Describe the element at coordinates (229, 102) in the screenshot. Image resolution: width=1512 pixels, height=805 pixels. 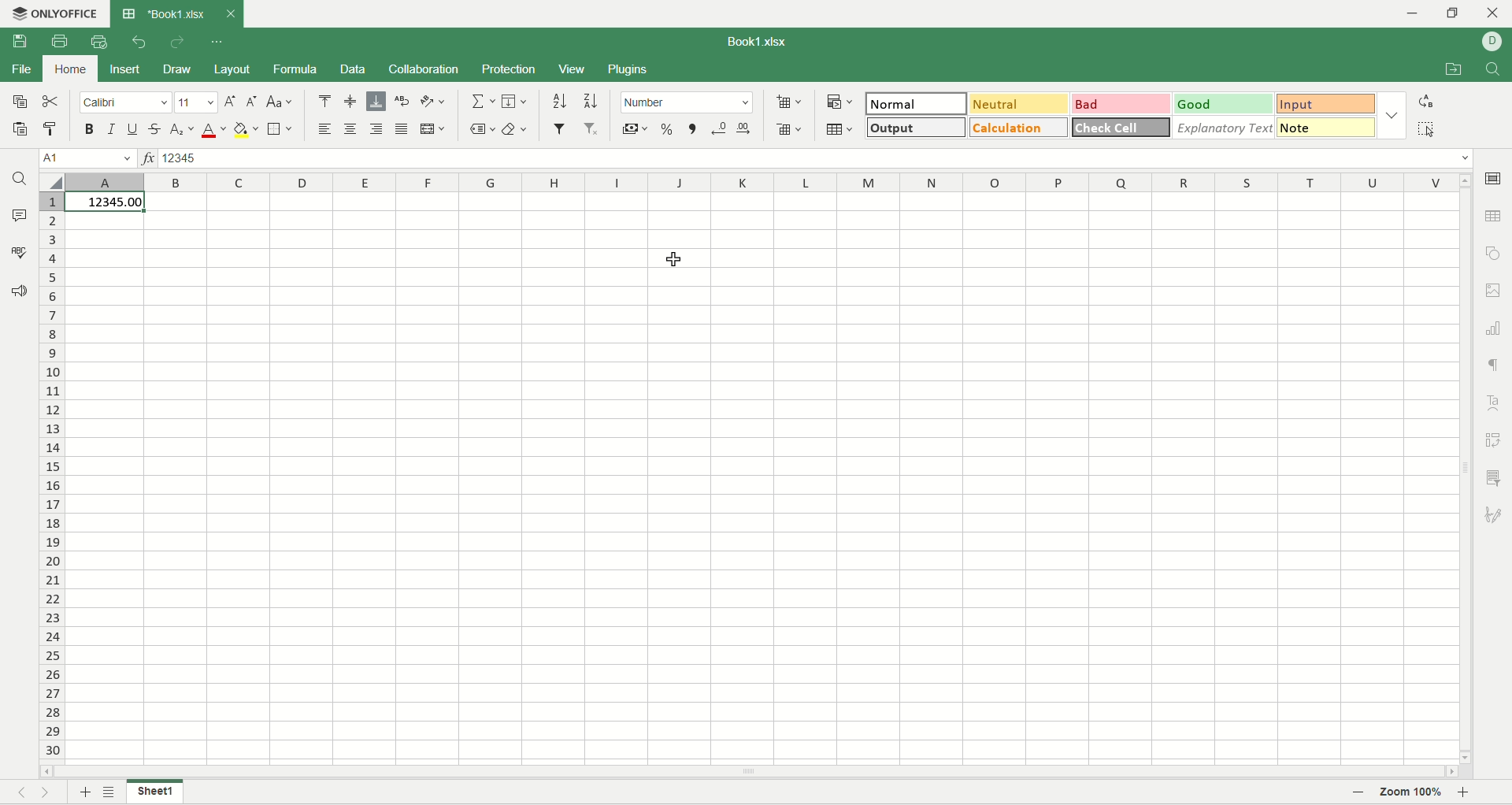
I see `incerase font size` at that location.